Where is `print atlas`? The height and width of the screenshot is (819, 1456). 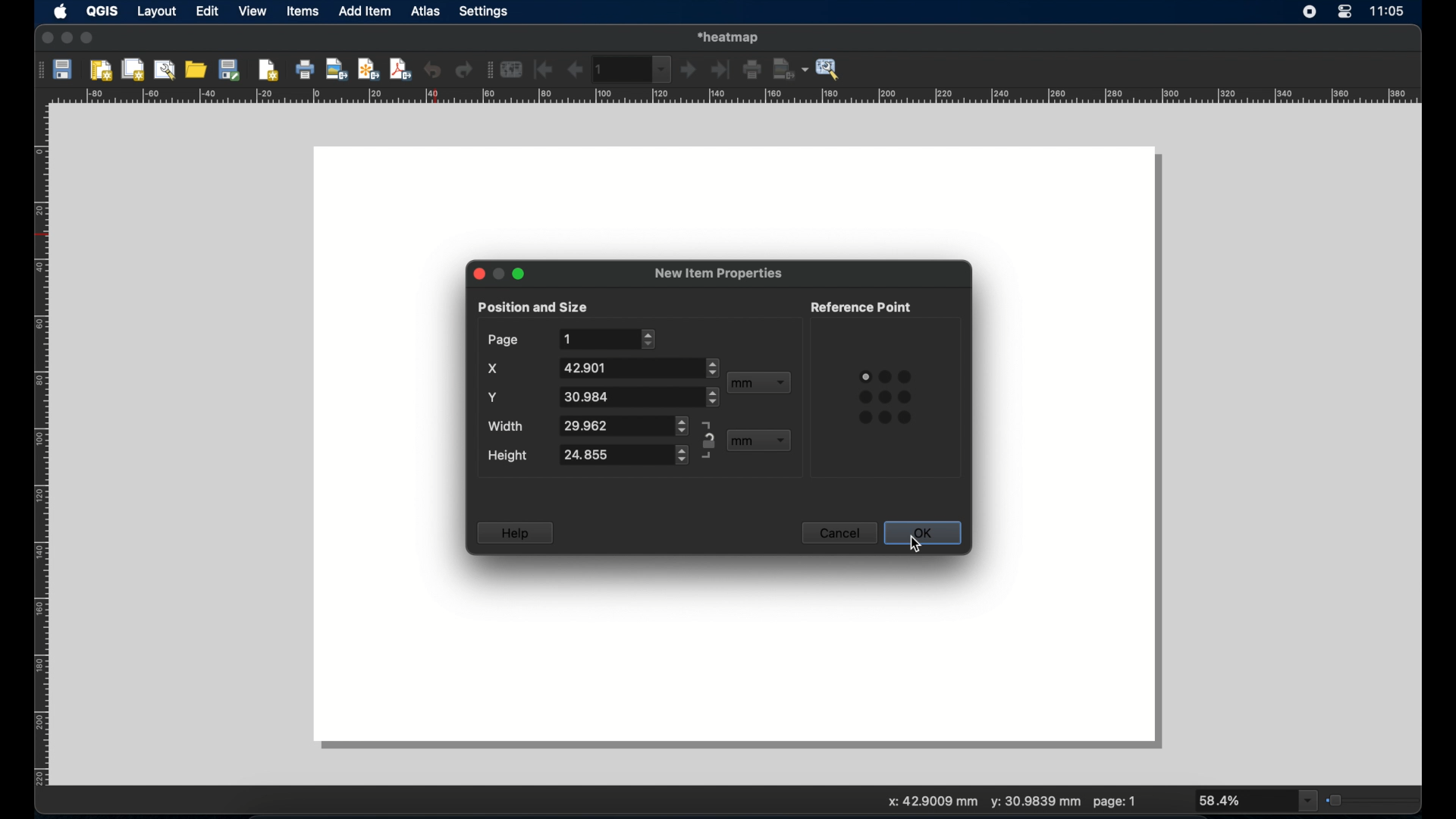
print atlas is located at coordinates (753, 71).